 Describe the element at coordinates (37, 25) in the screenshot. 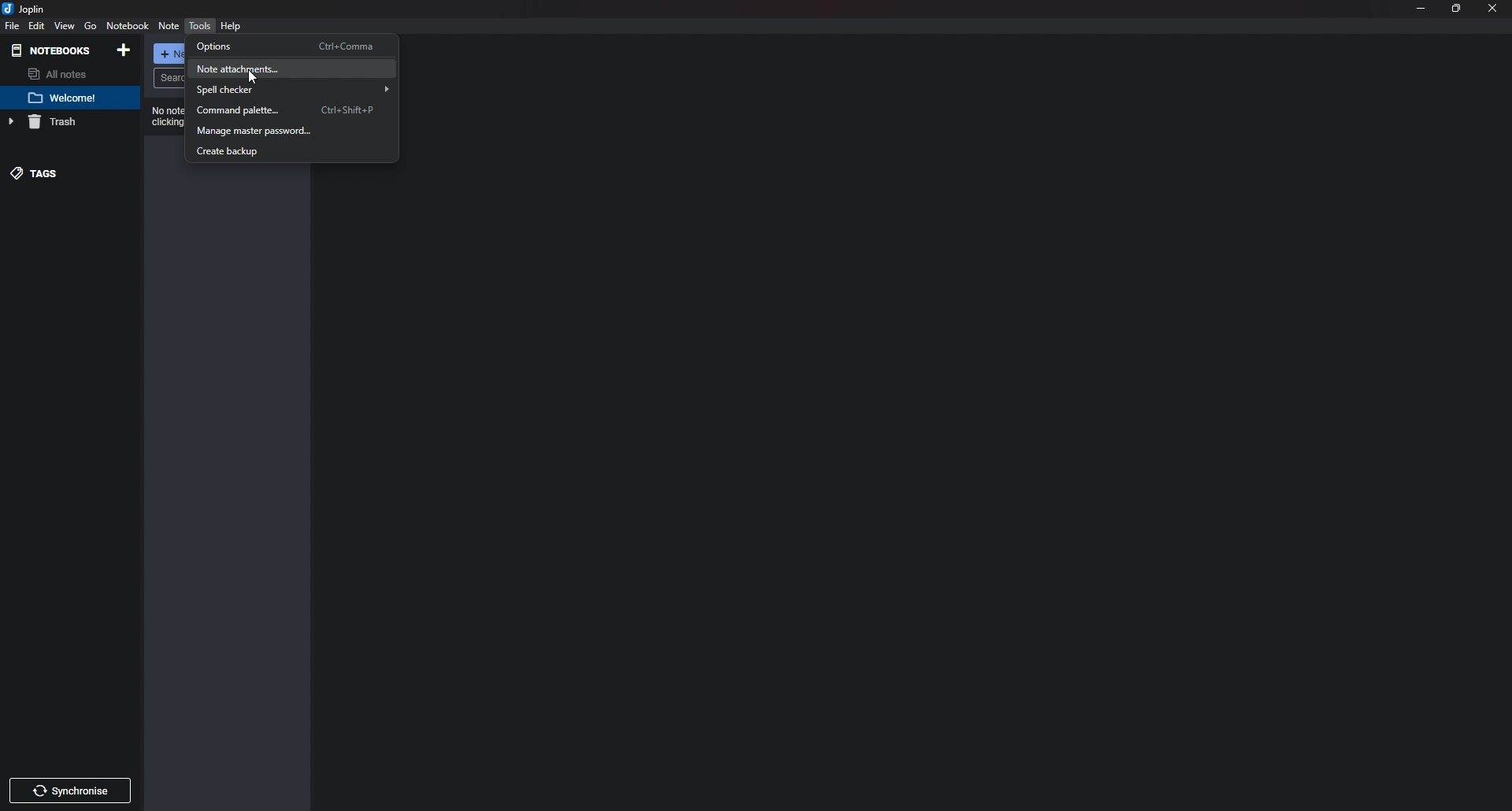

I see `edit` at that location.